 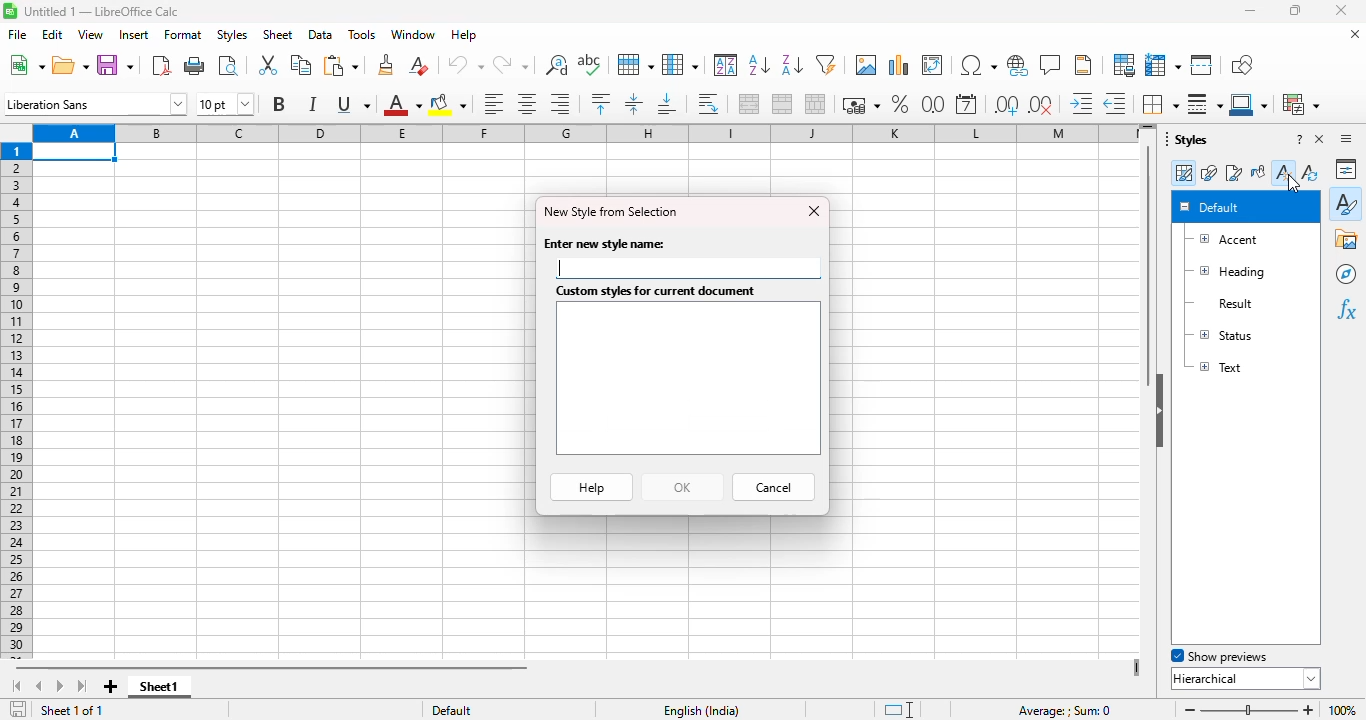 I want to click on help about this sidebar deck, so click(x=1299, y=138).